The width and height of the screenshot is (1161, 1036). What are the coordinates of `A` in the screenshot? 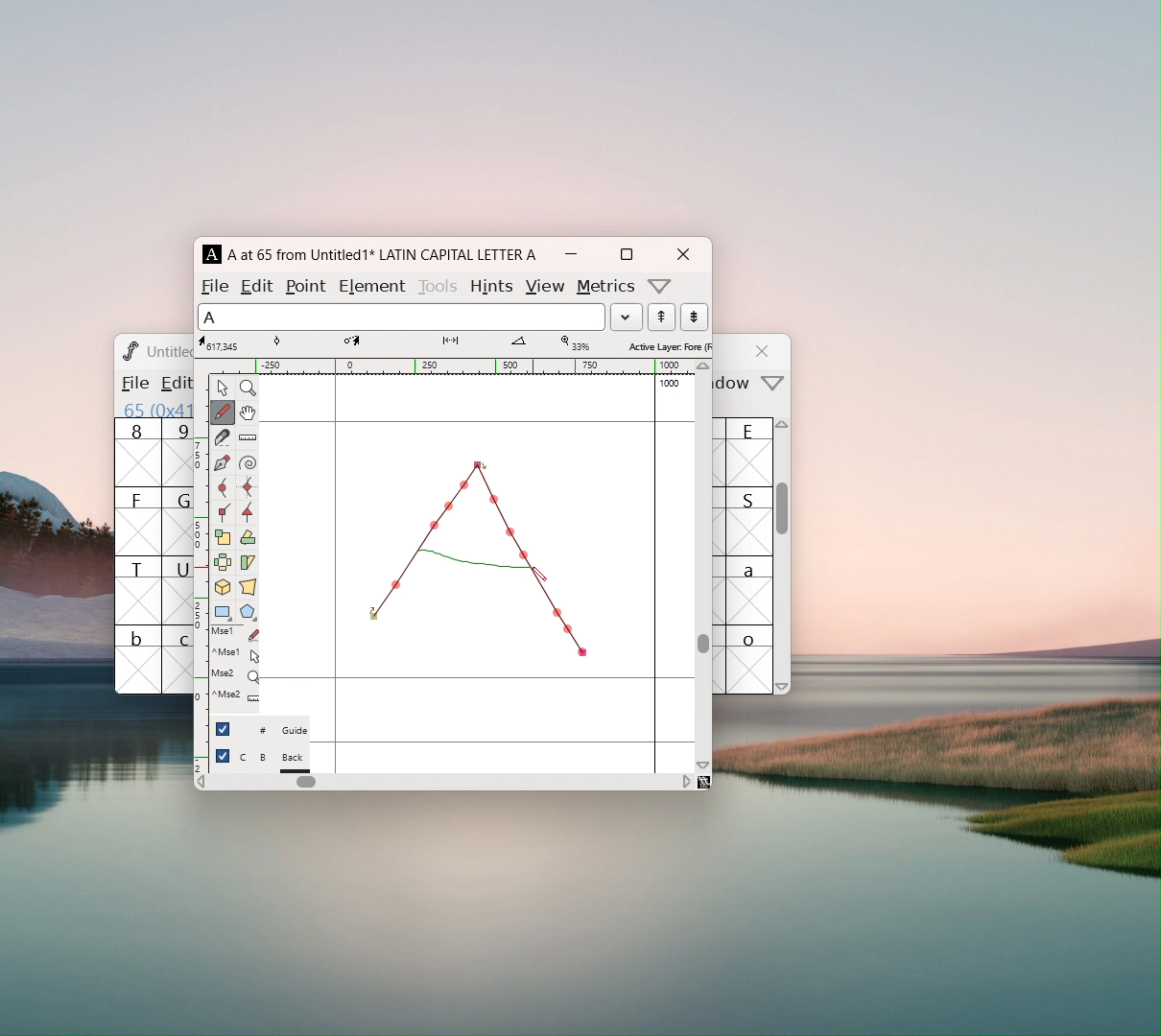 It's located at (213, 254).